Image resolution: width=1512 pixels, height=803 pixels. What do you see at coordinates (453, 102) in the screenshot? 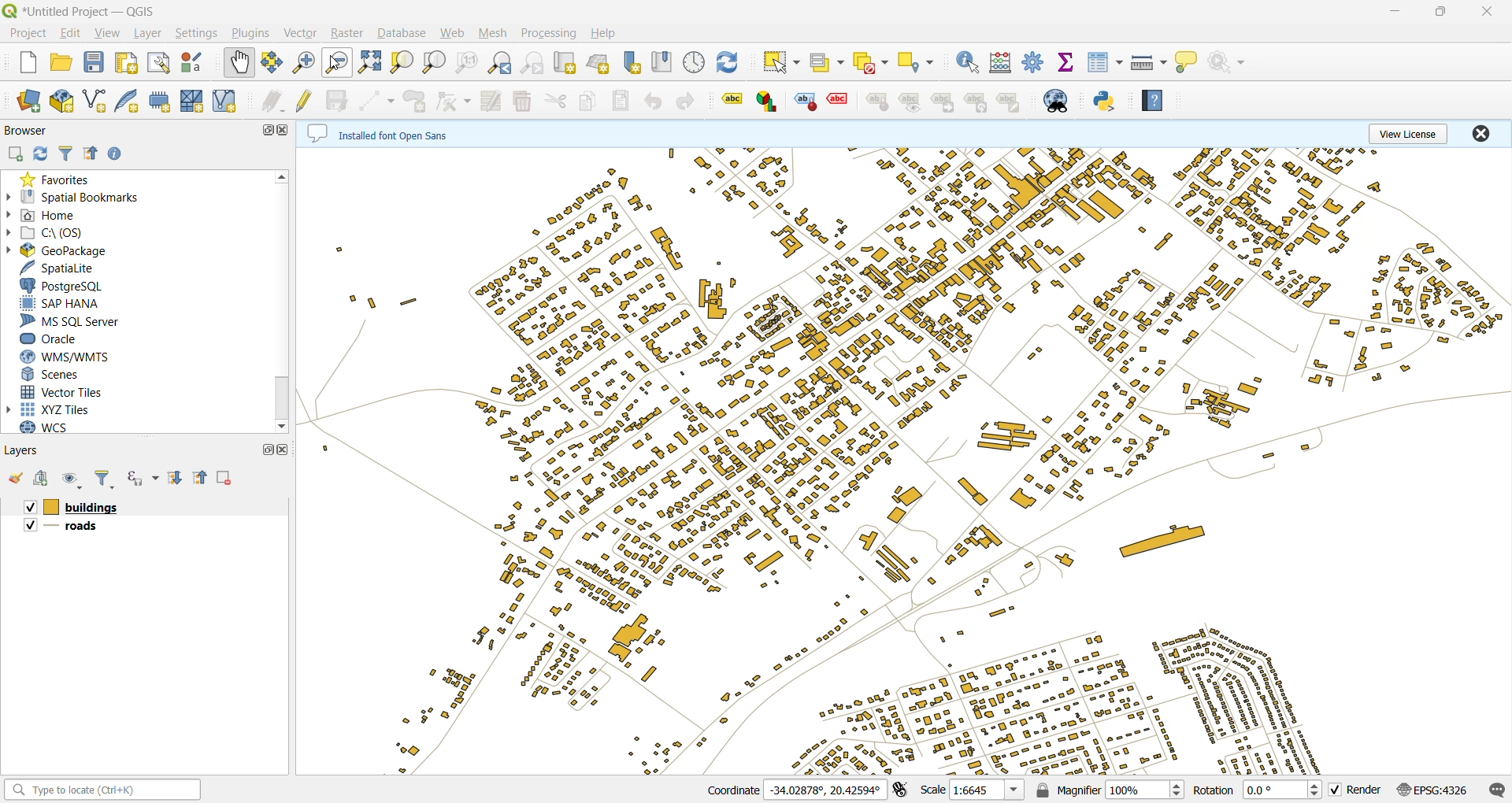
I see `vertex tool` at bounding box center [453, 102].